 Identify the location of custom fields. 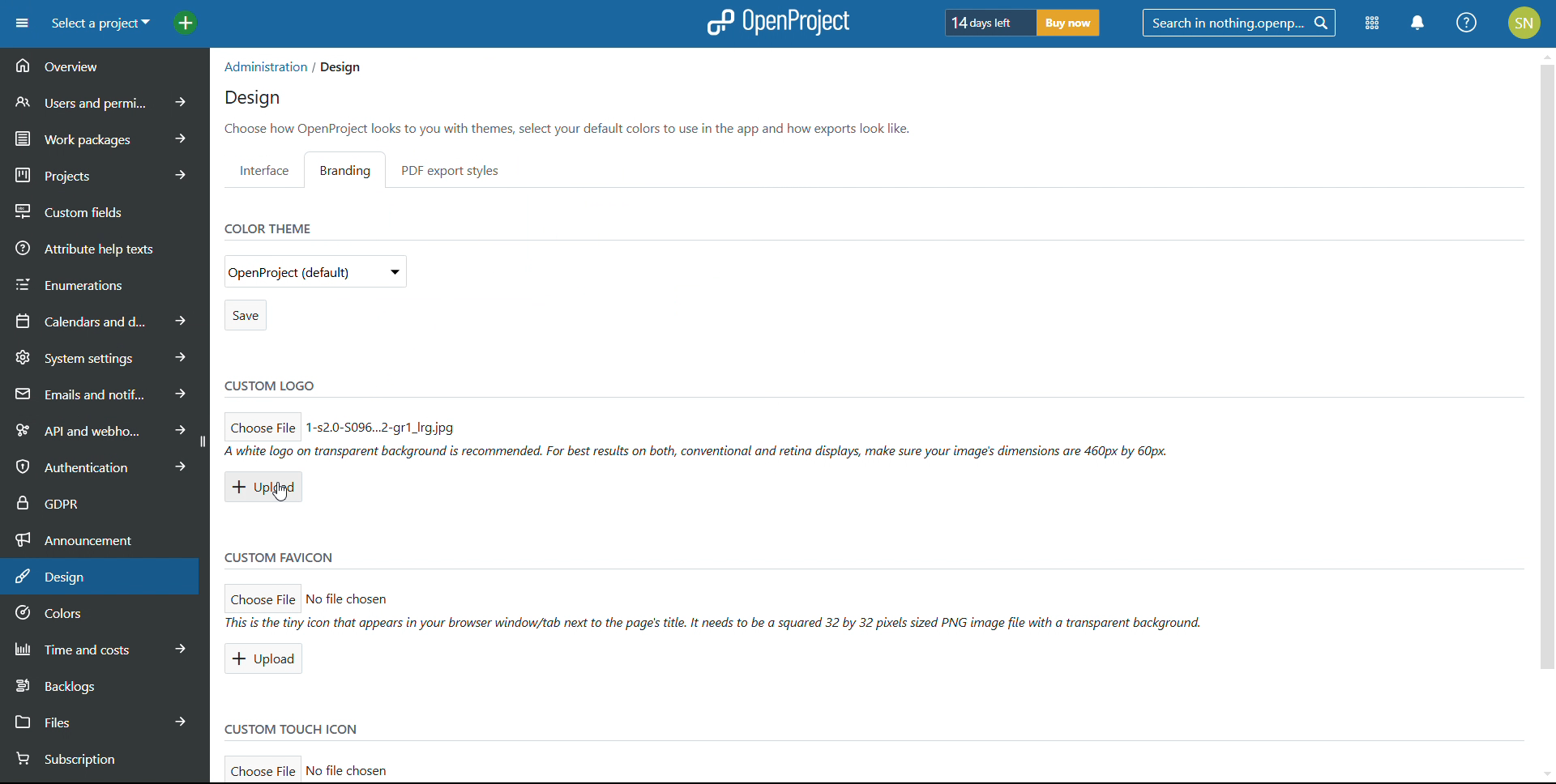
(105, 207).